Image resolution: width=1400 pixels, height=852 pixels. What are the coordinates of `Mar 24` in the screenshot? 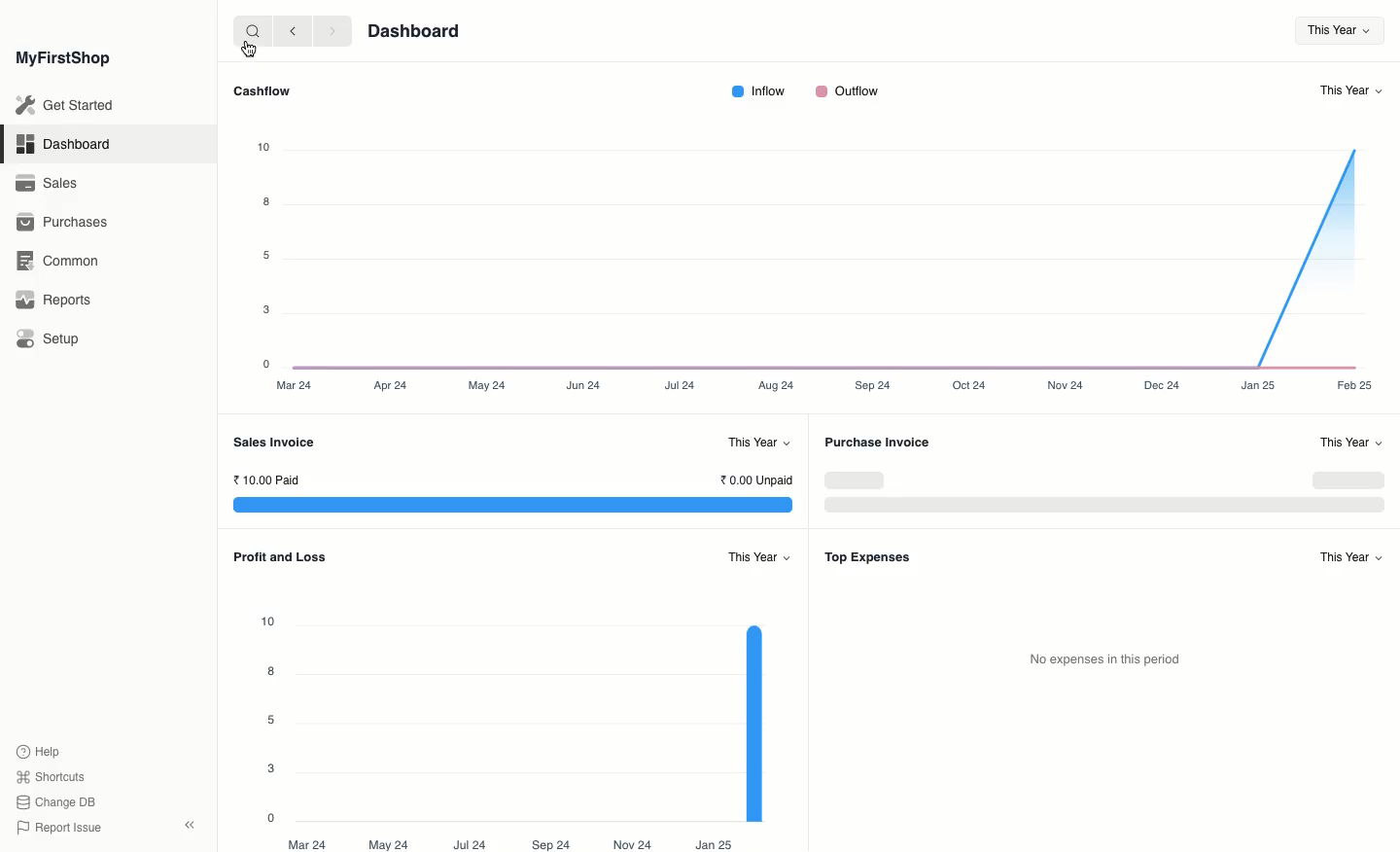 It's located at (295, 384).